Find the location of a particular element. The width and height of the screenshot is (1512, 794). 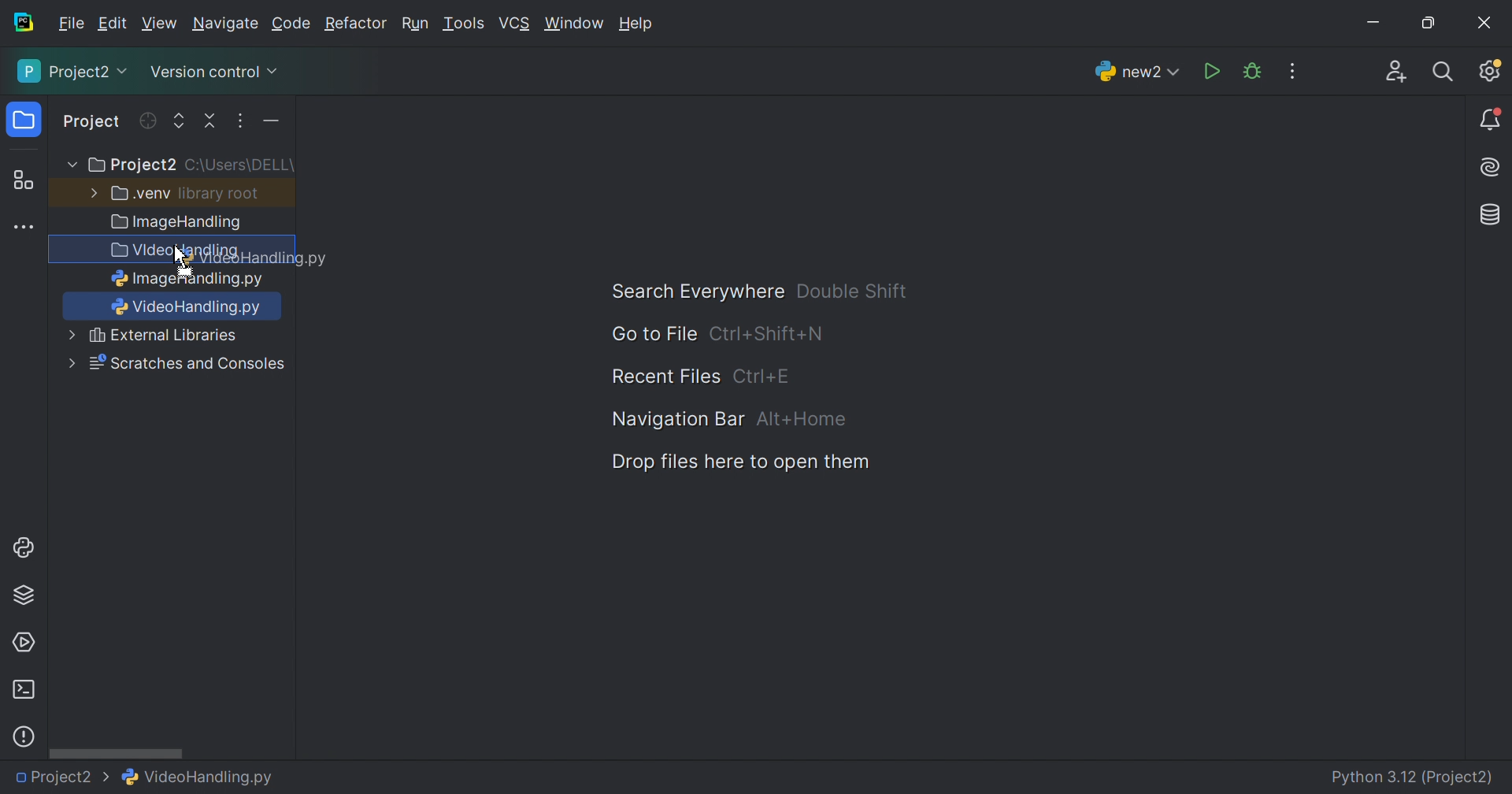

File is located at coordinates (72, 24).